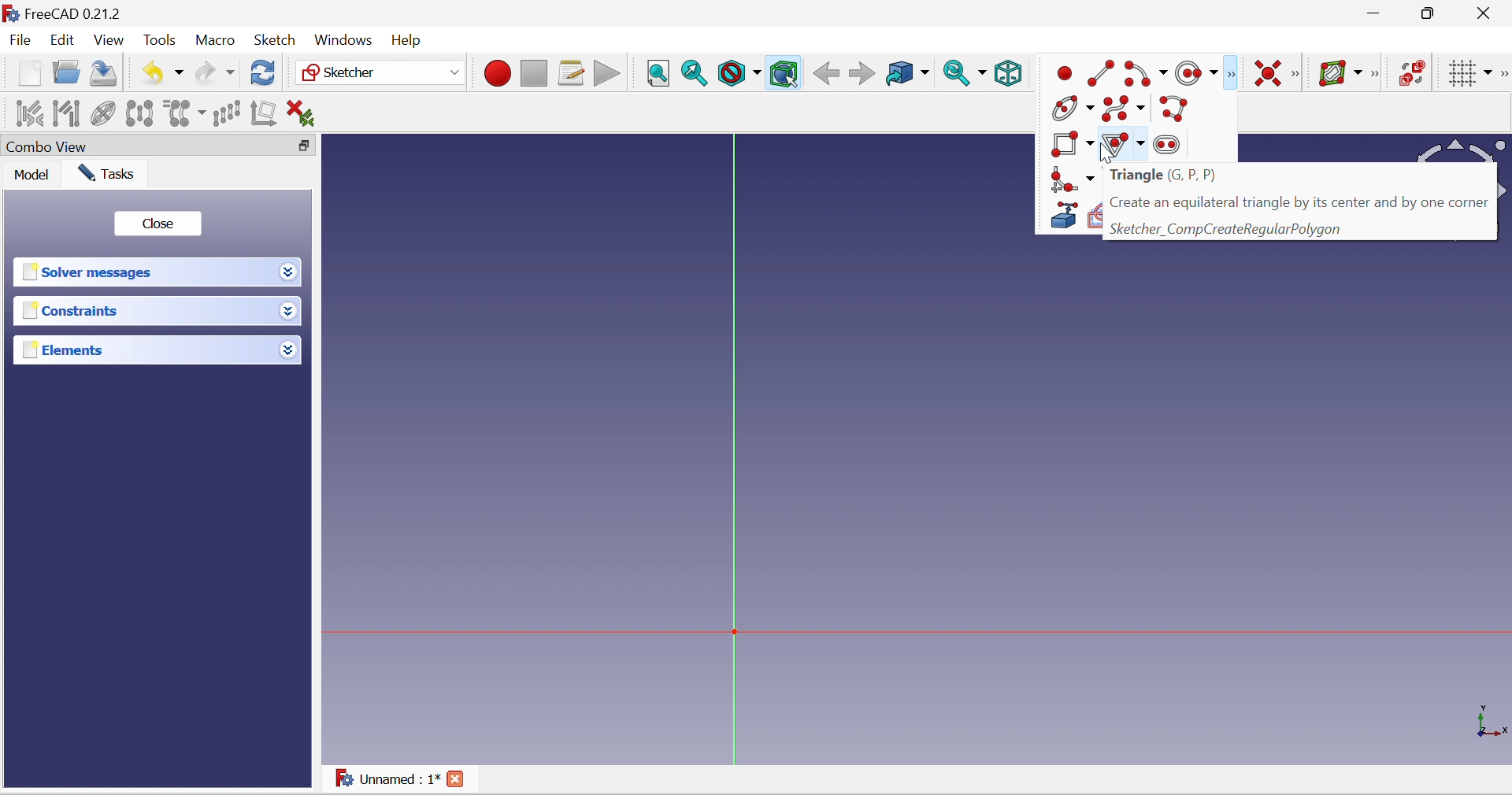  I want to click on Minimize, so click(1373, 13).